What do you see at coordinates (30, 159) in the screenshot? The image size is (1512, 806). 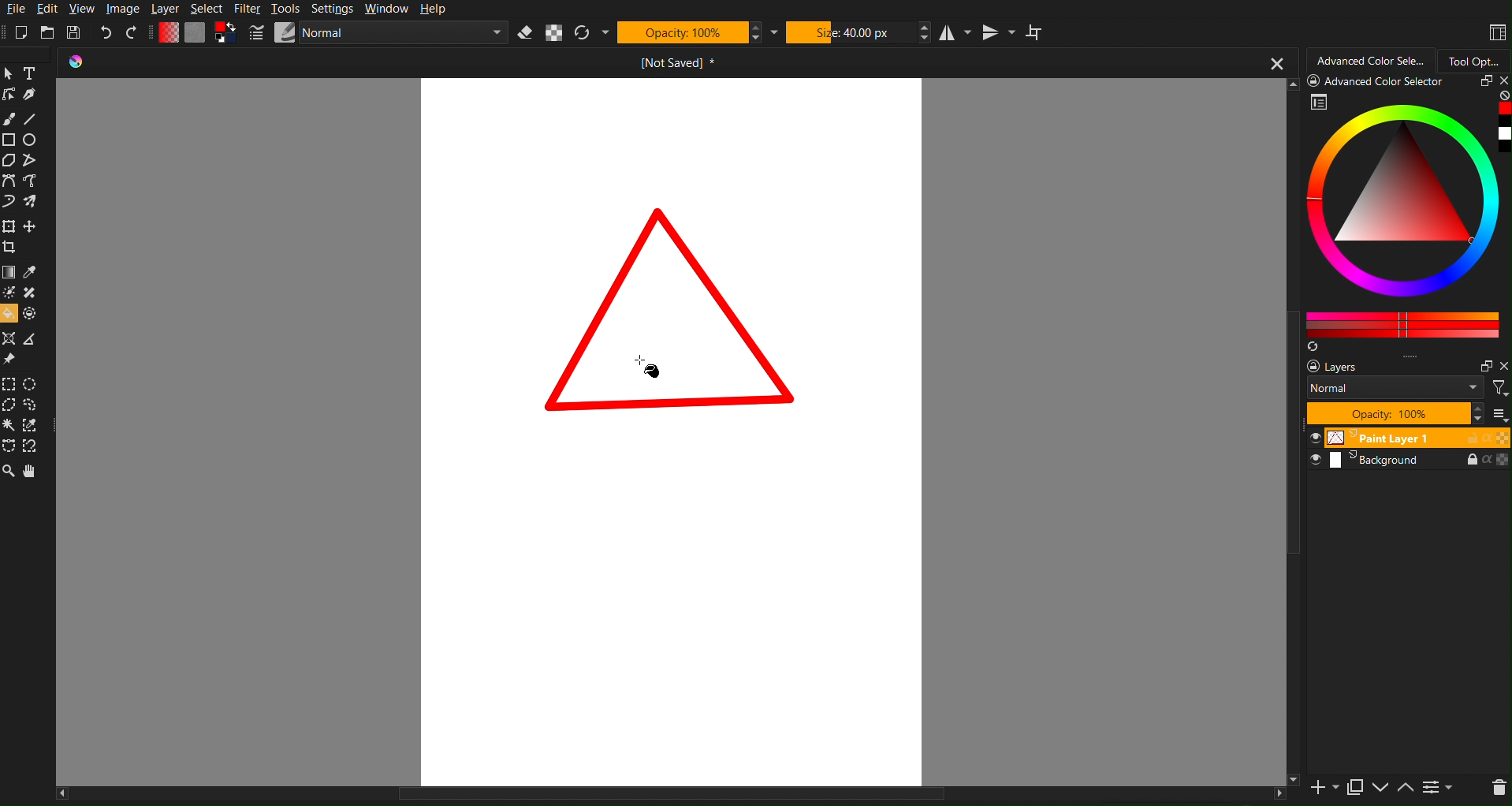 I see `polyline tool` at bounding box center [30, 159].